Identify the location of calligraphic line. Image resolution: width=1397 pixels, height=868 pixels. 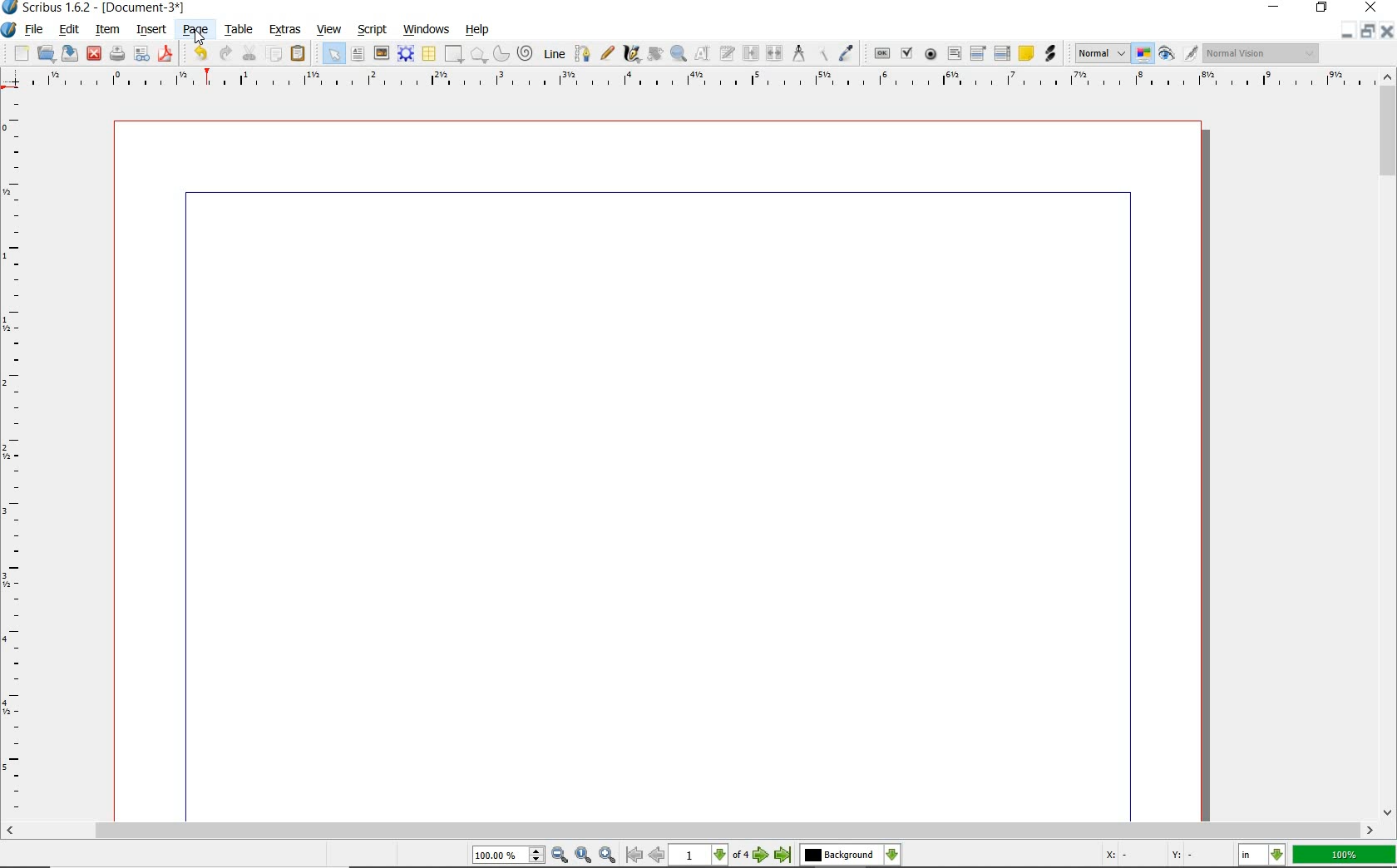
(632, 55).